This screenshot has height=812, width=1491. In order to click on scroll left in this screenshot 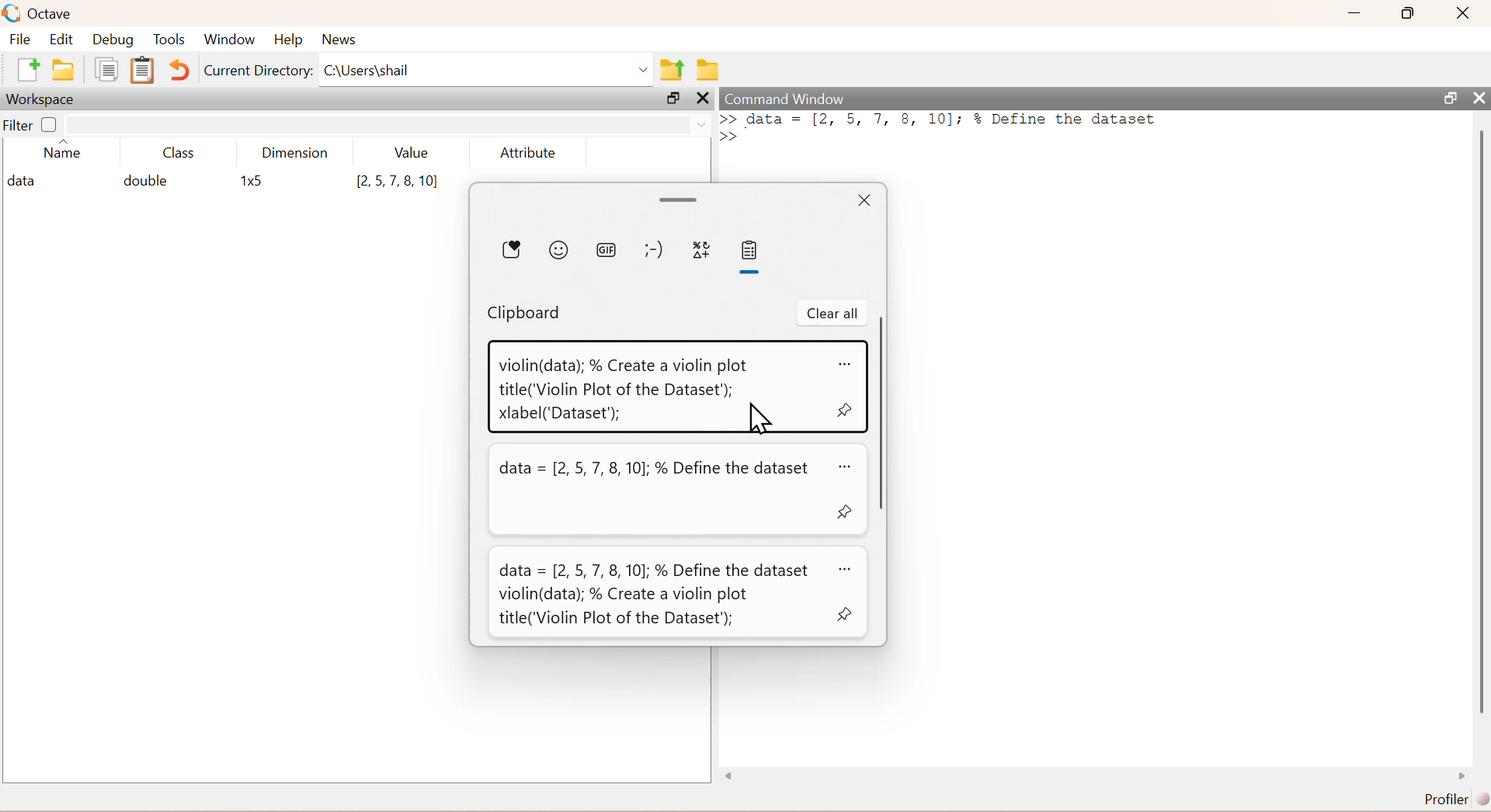, I will do `click(730, 776)`.